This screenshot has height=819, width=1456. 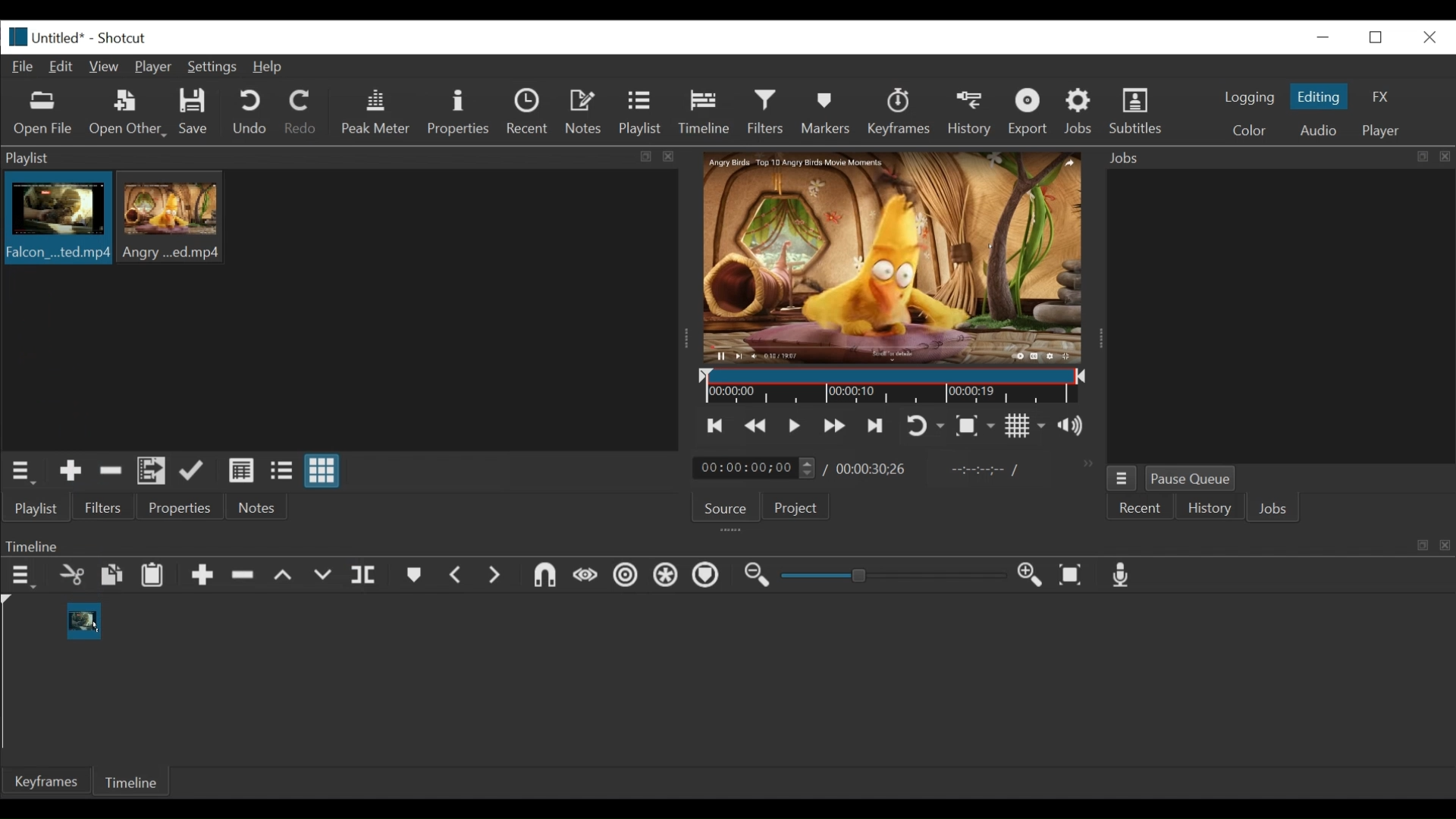 I want to click on Add the source to the playlist, so click(x=69, y=473).